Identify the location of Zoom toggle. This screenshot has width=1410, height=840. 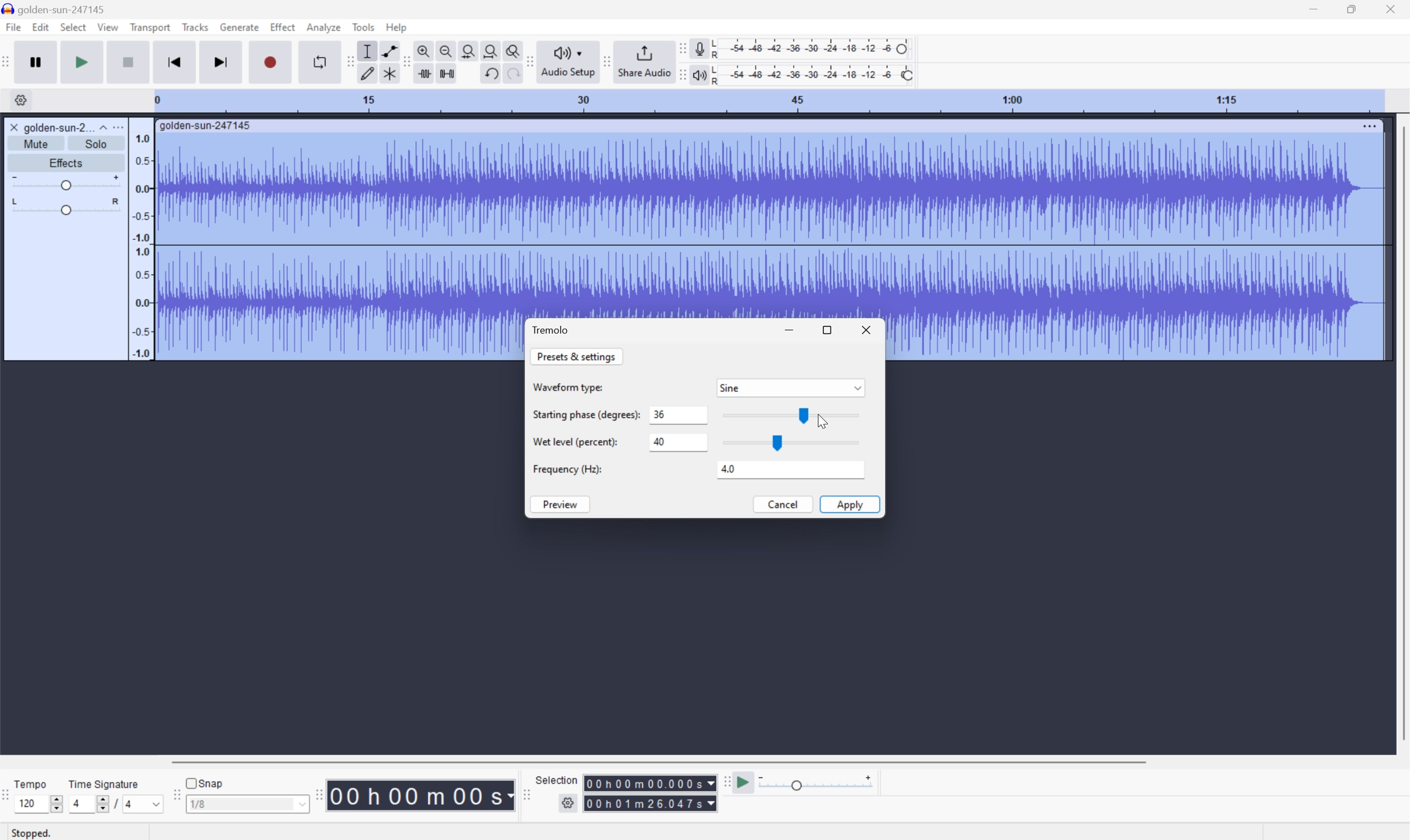
(510, 50).